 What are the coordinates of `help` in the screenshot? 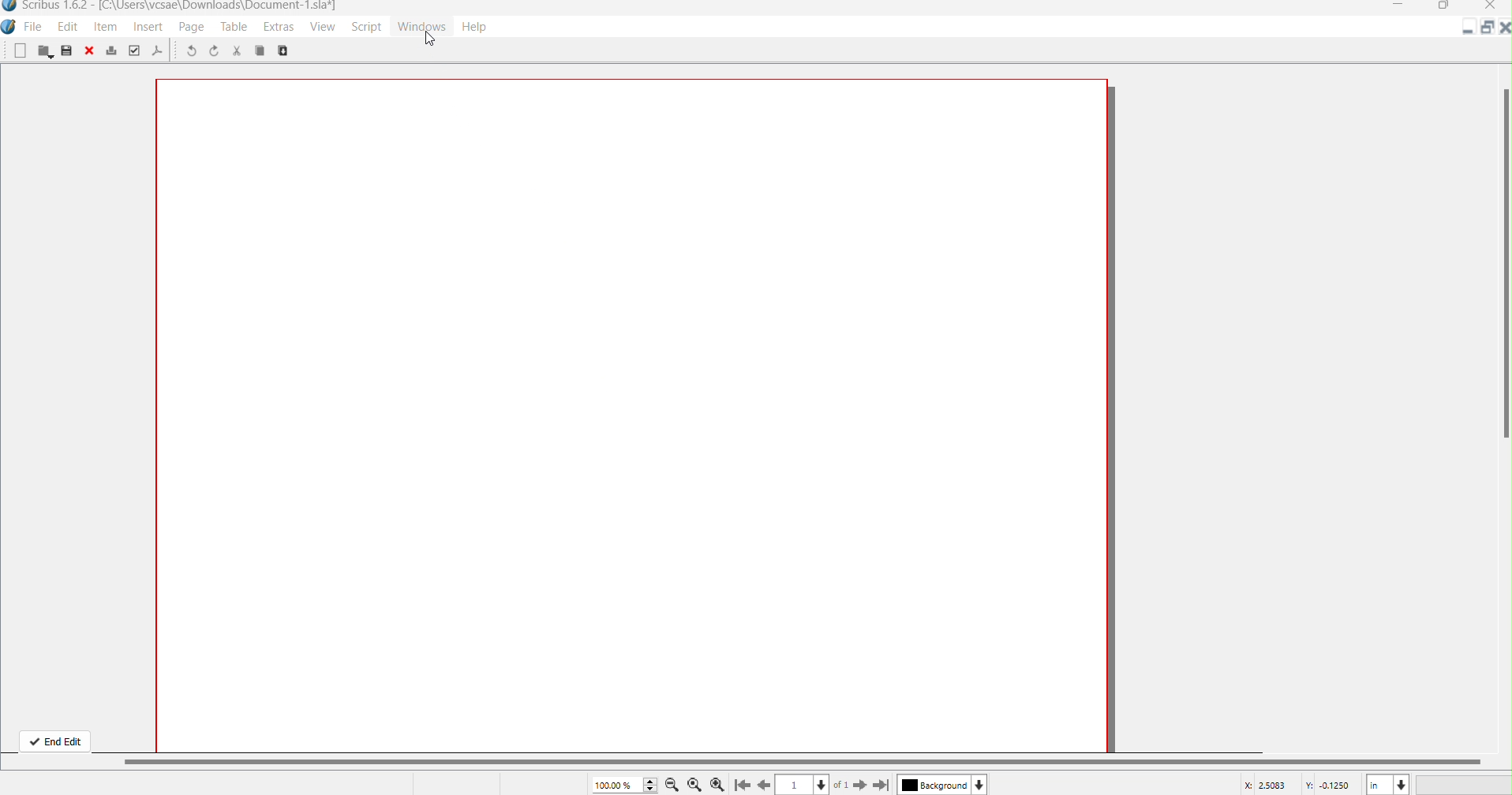 It's located at (481, 28).